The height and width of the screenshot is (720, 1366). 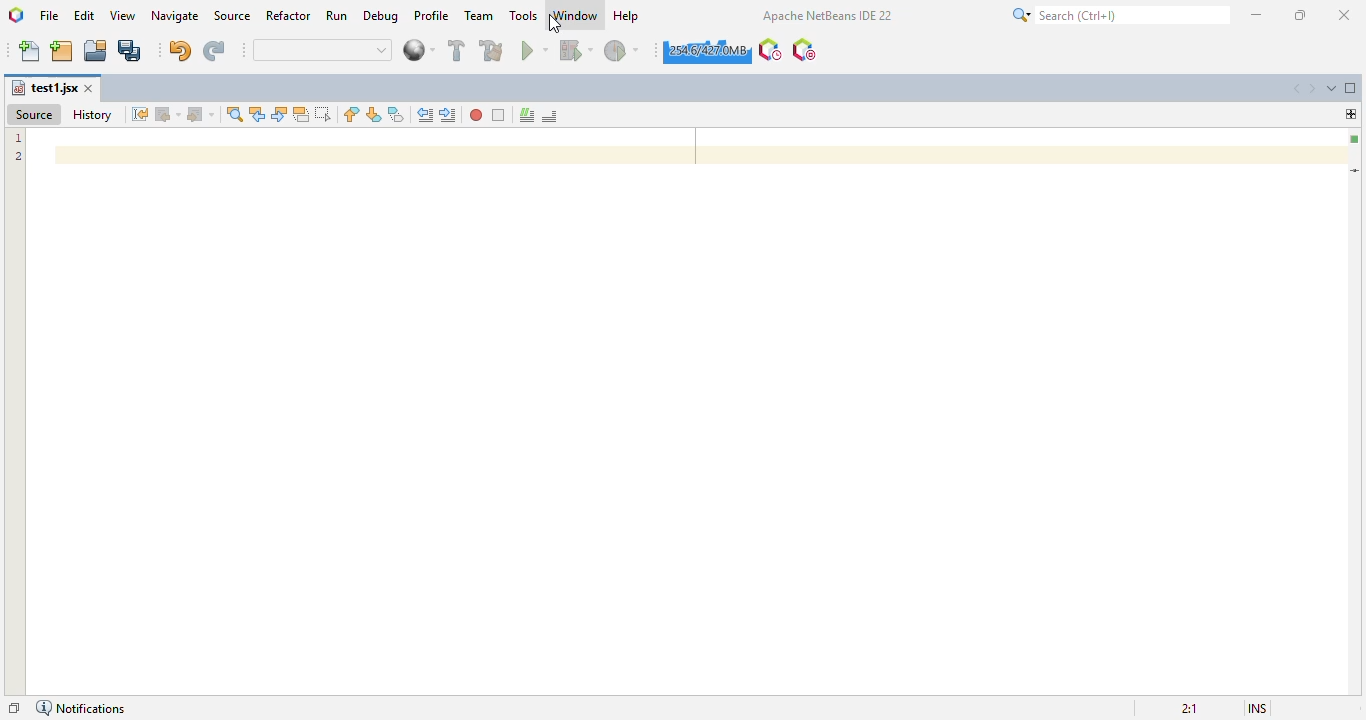 I want to click on toggle bookmark, so click(x=396, y=114).